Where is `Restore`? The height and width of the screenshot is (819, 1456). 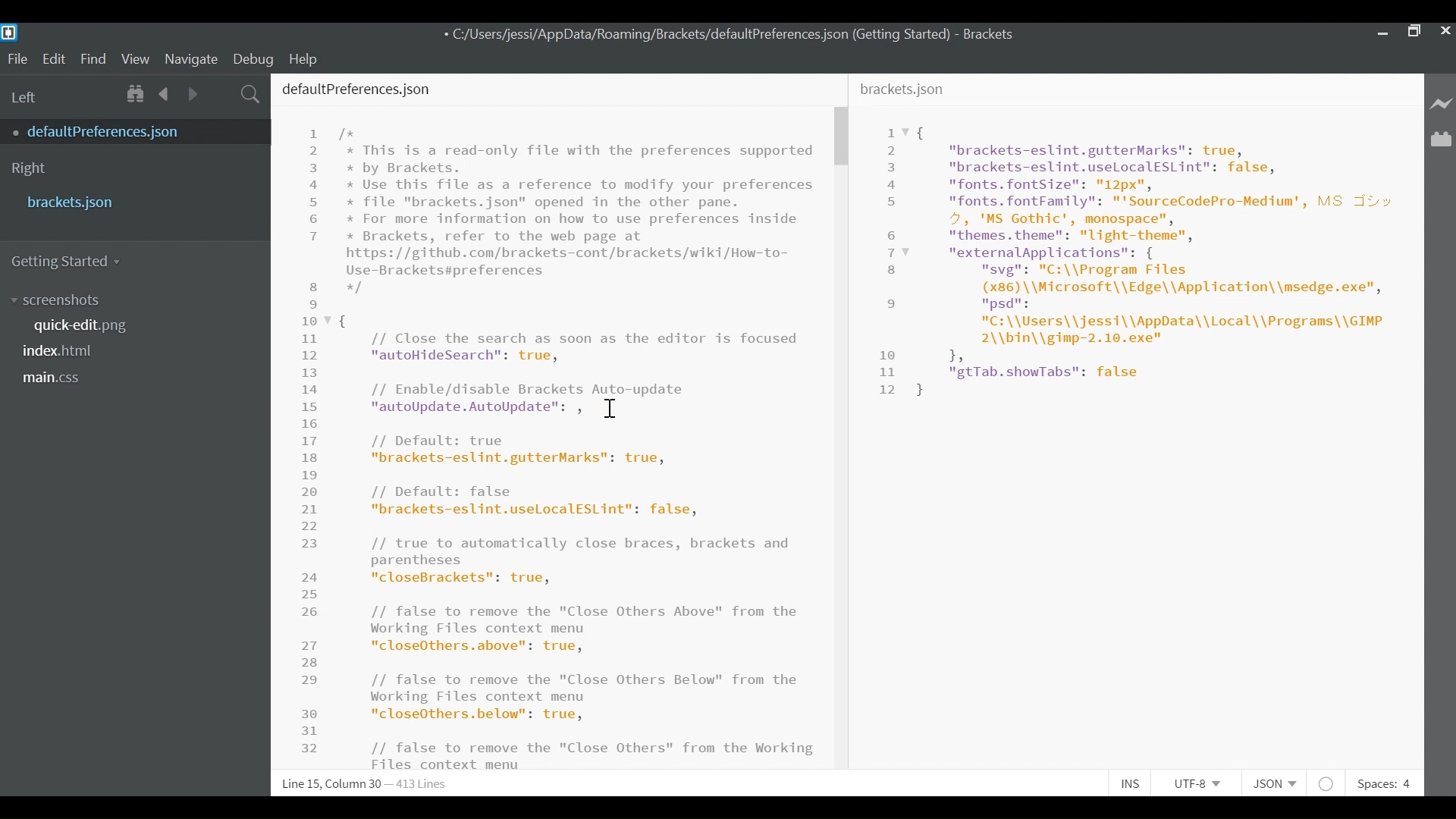 Restore is located at coordinates (1414, 30).